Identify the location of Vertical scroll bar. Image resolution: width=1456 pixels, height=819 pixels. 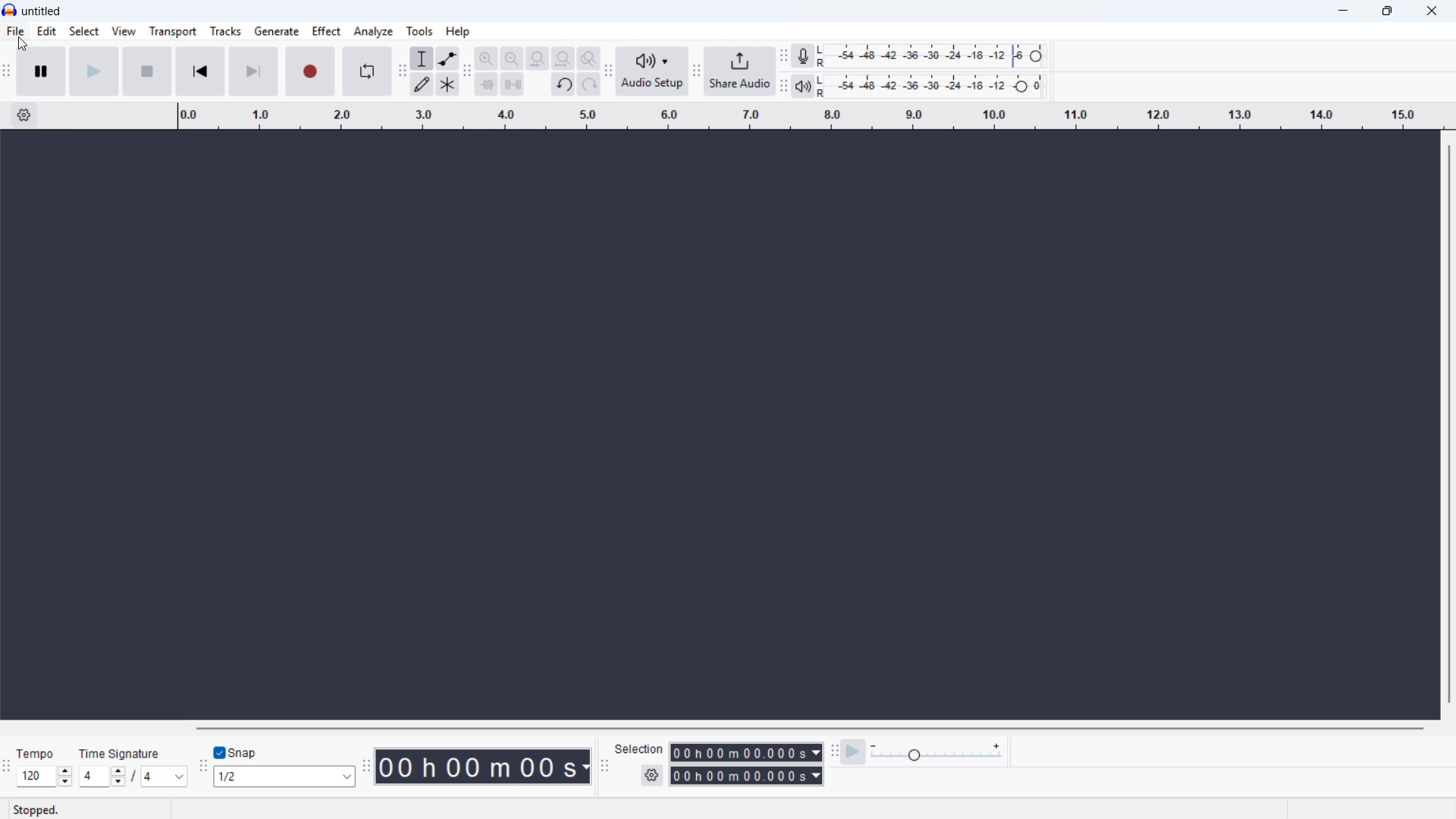
(1448, 422).